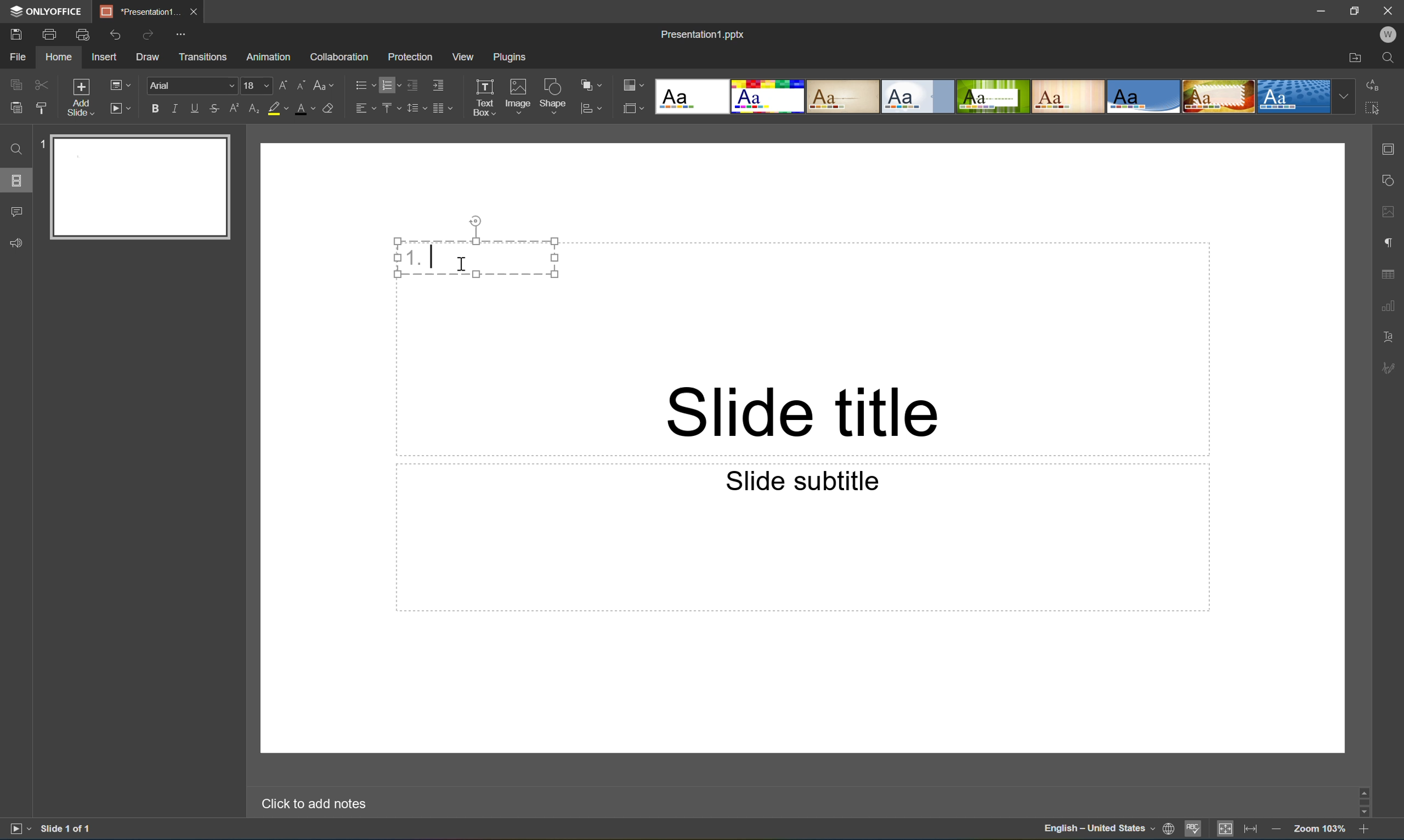  Describe the element at coordinates (181, 35) in the screenshot. I see `Customize Quick Access Toolbar` at that location.